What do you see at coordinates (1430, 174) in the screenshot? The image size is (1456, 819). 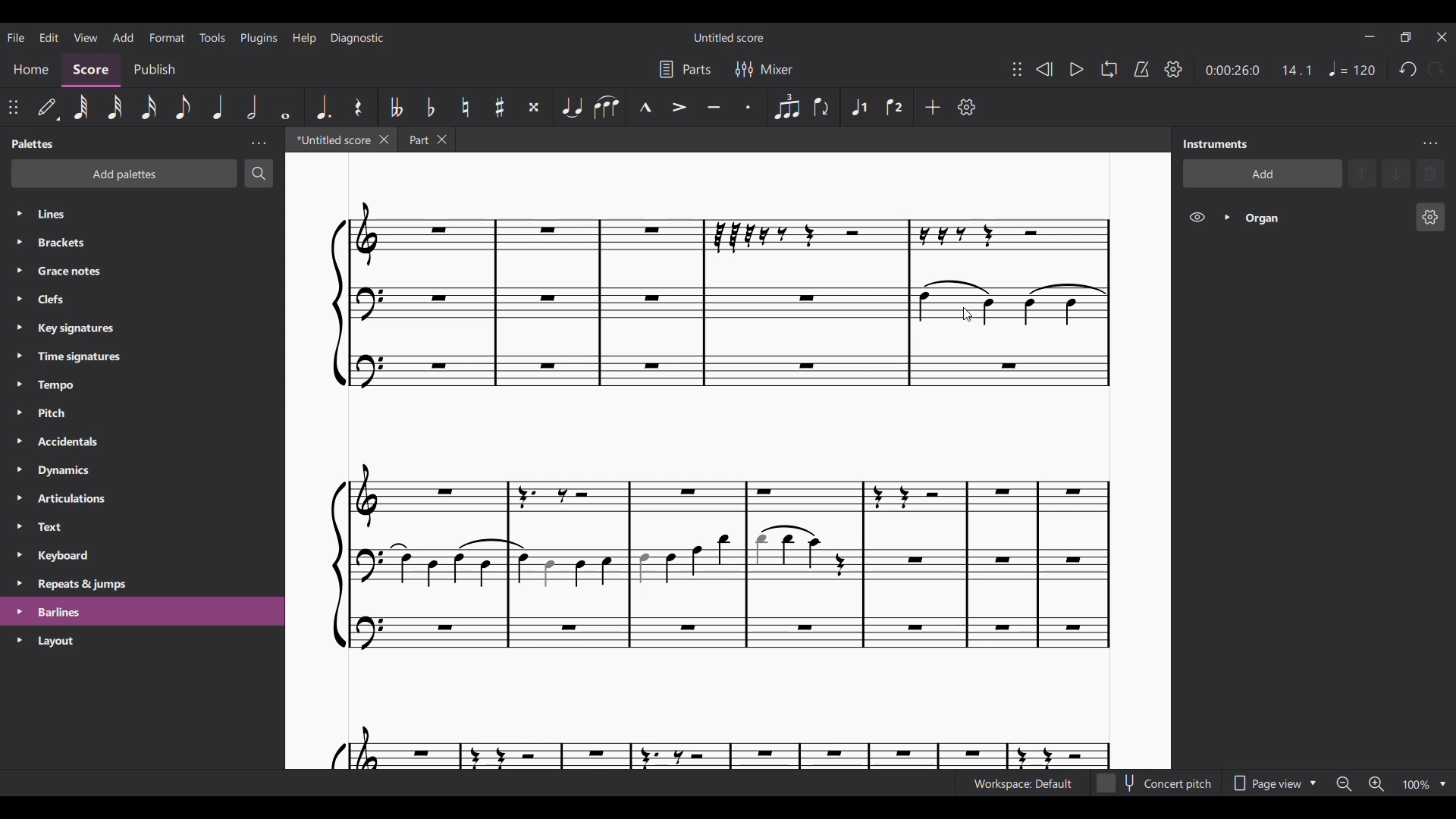 I see `Delete` at bounding box center [1430, 174].